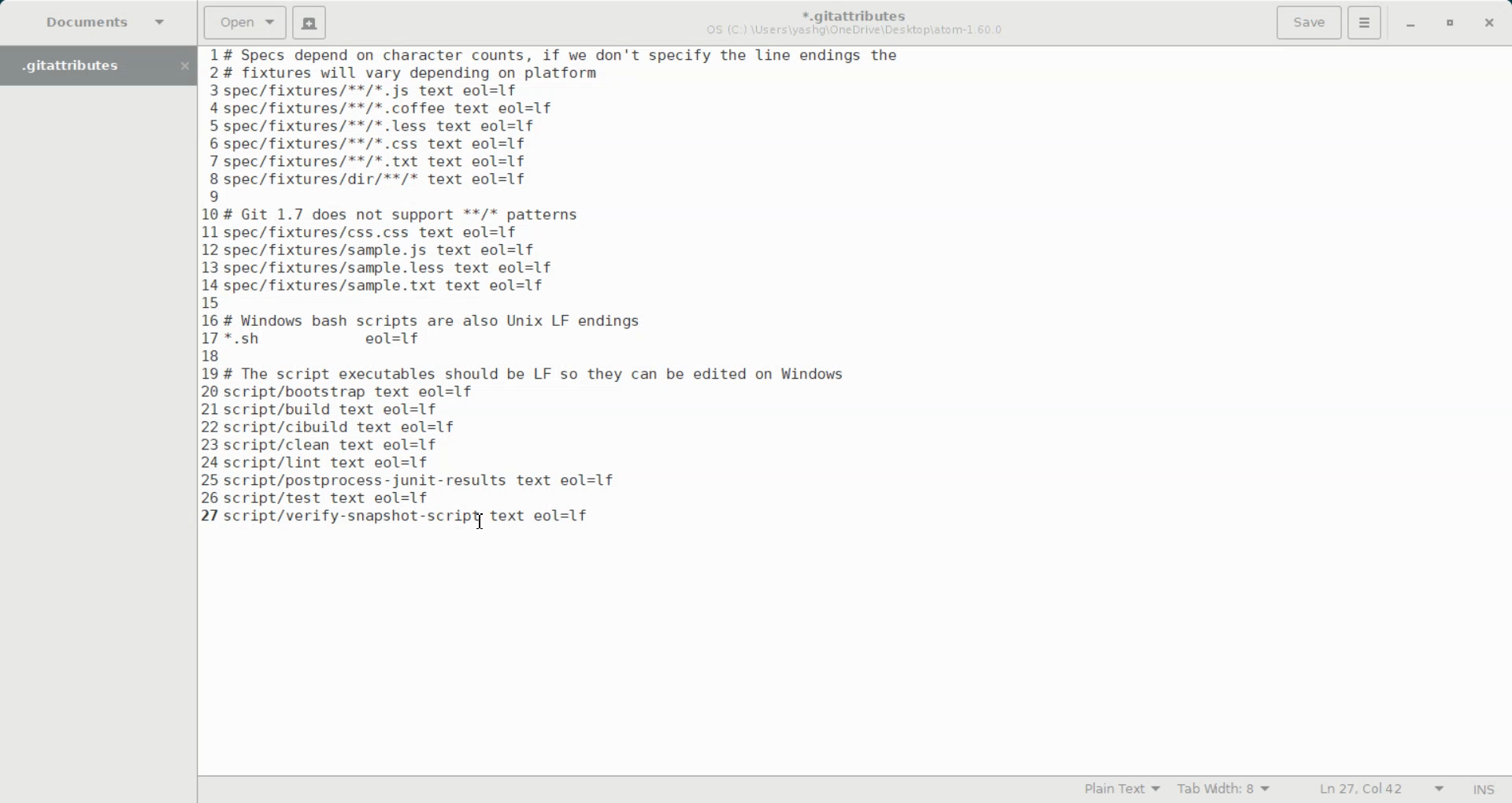 This screenshot has width=1512, height=803. I want to click on INS, so click(1484, 789).